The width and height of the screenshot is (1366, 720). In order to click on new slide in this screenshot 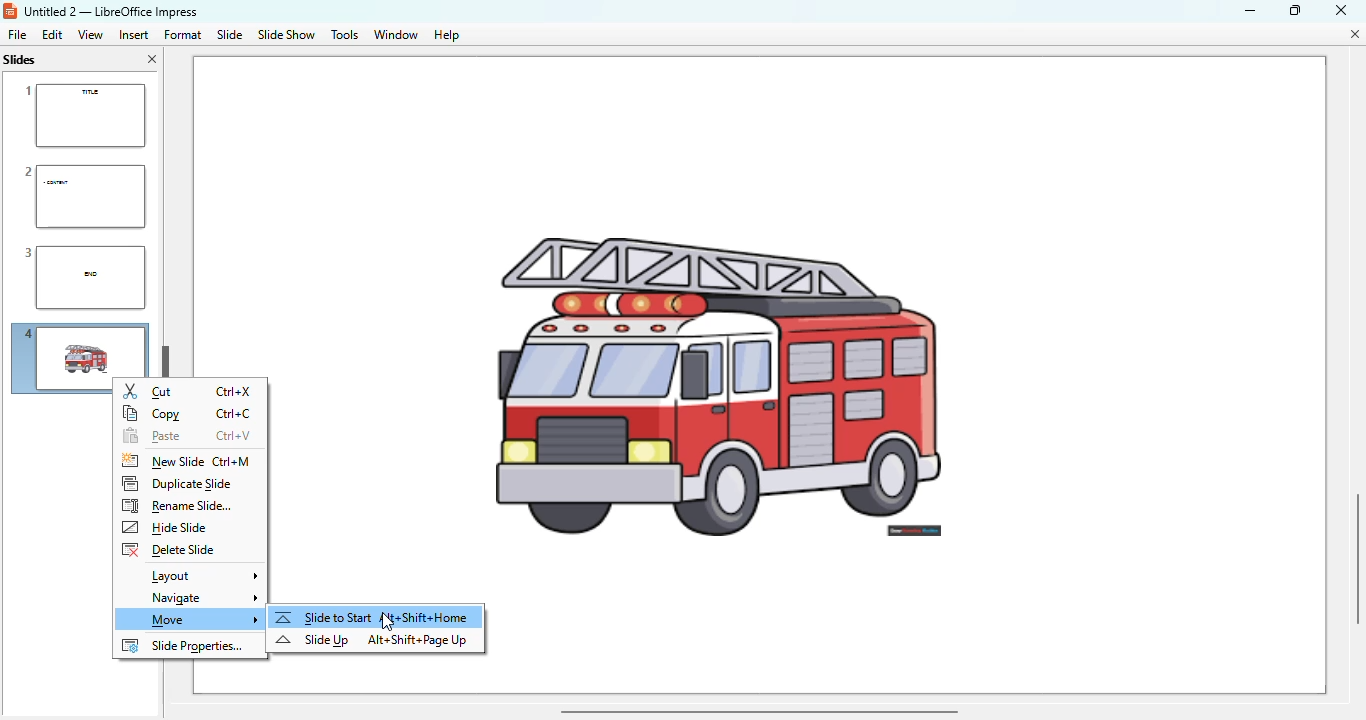, I will do `click(161, 461)`.